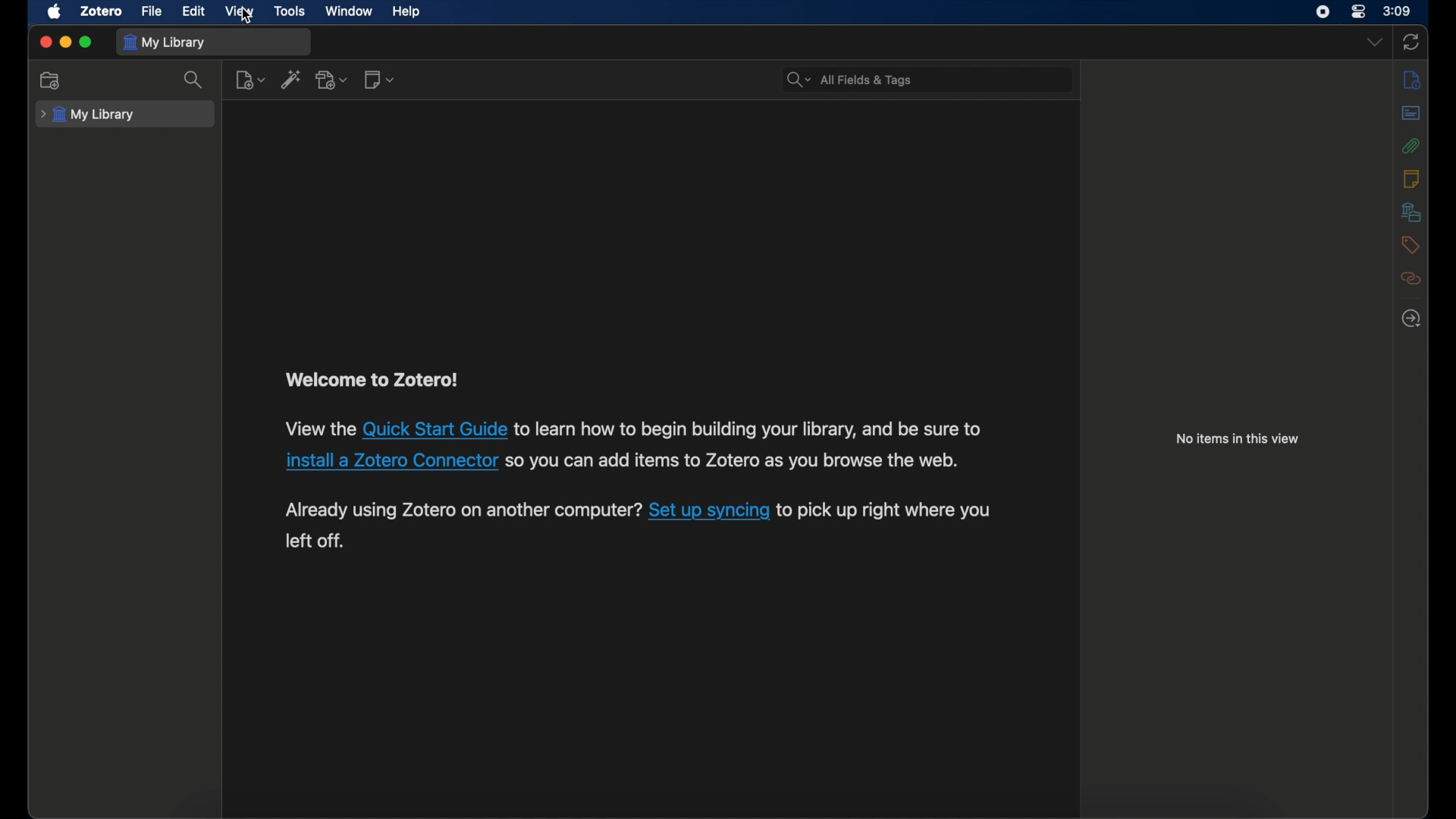  What do you see at coordinates (1410, 212) in the screenshot?
I see `libraries` at bounding box center [1410, 212].